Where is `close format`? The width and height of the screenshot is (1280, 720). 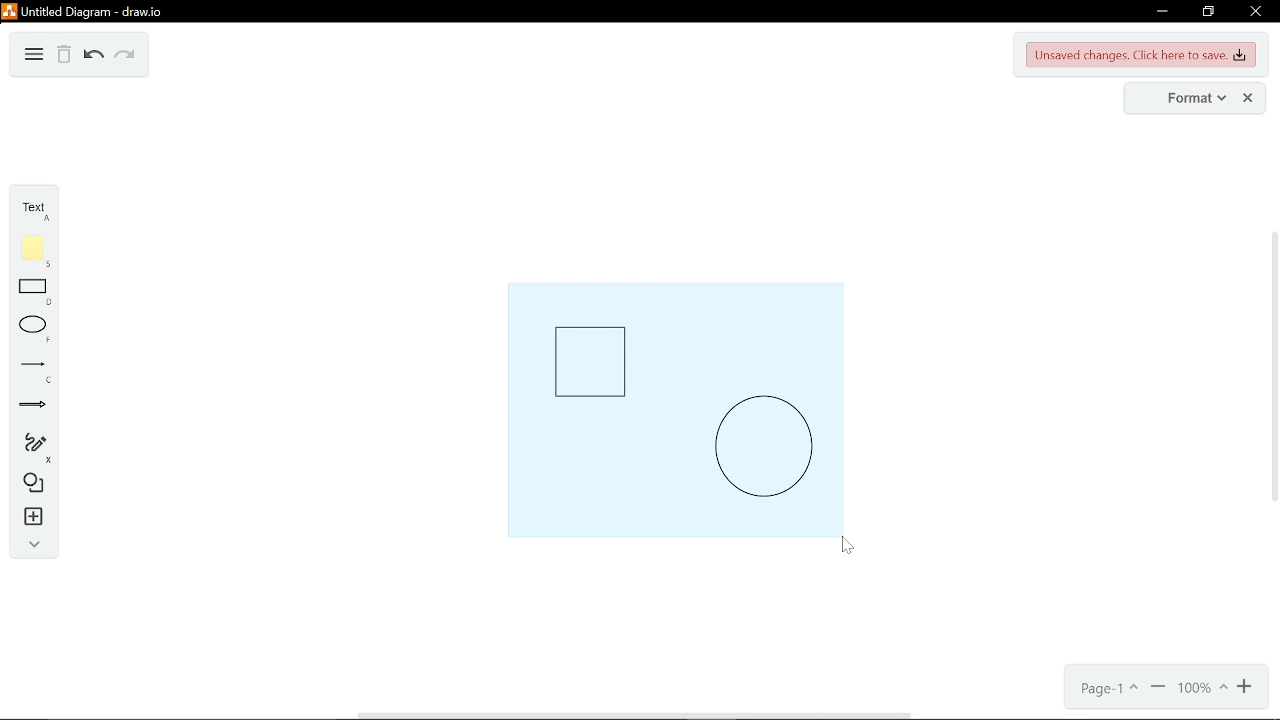 close format is located at coordinates (1247, 98).